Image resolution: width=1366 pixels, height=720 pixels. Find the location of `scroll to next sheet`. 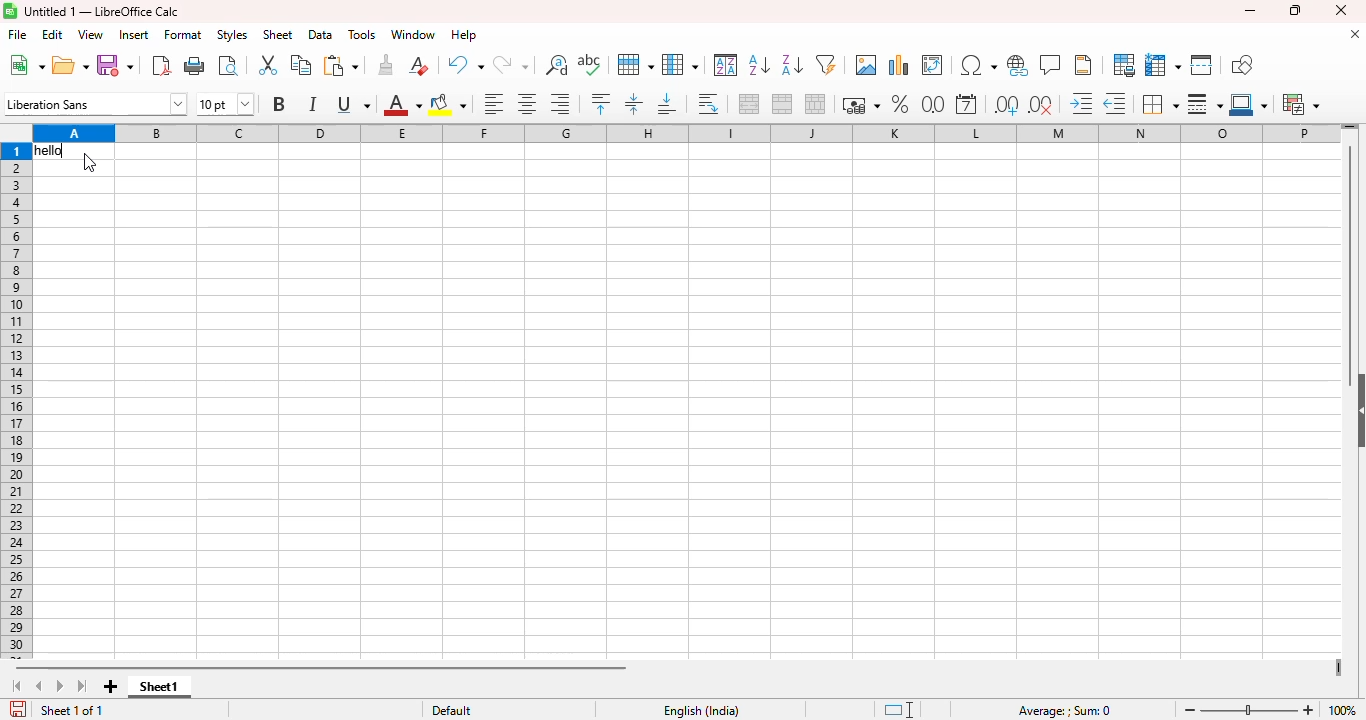

scroll to next sheet is located at coordinates (60, 685).